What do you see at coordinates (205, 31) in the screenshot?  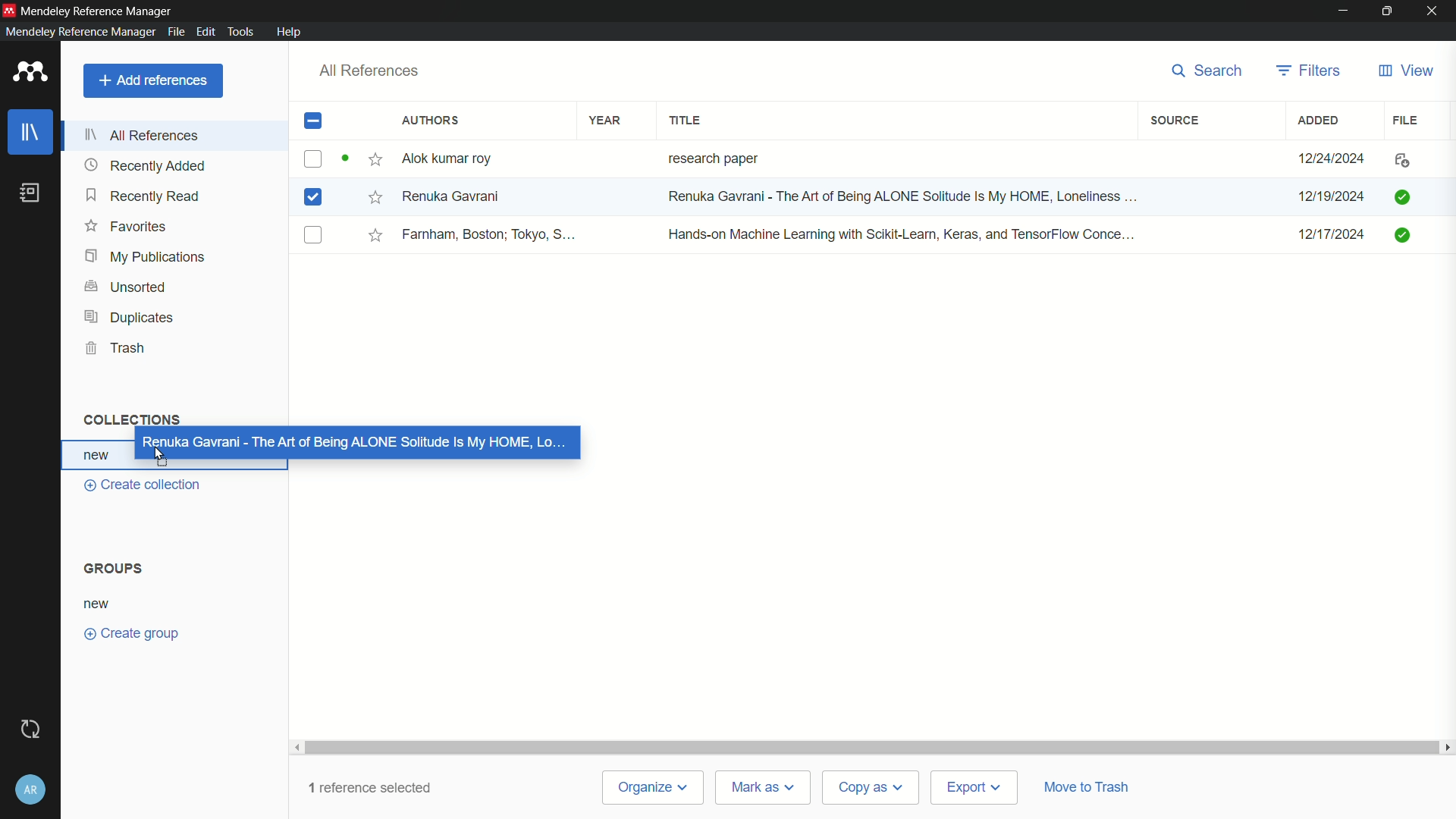 I see `edit menu` at bounding box center [205, 31].